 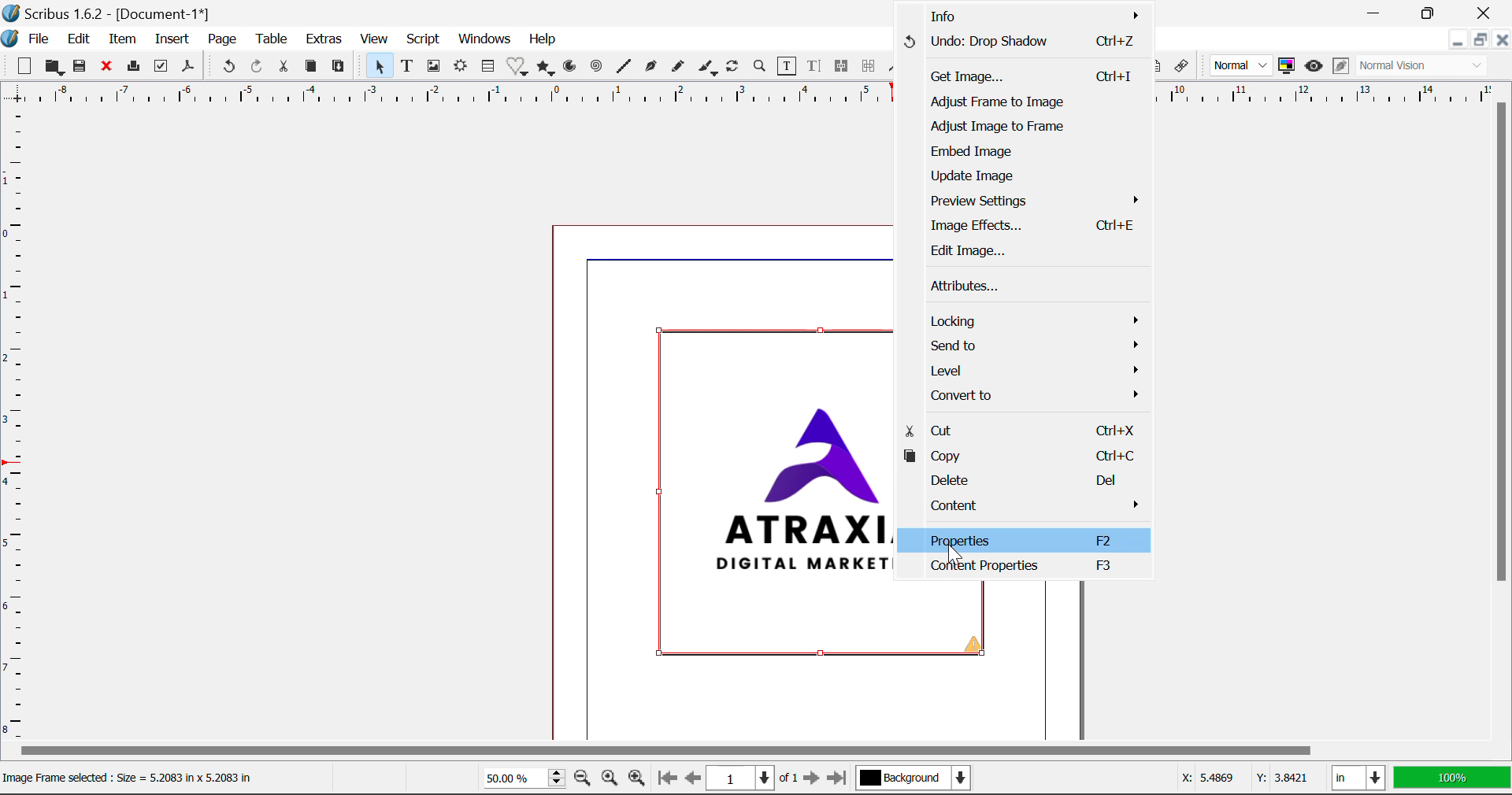 What do you see at coordinates (137, 778) in the screenshot?
I see `Image Frame selected : Size = 5.2083 in x 5.2083 in` at bounding box center [137, 778].